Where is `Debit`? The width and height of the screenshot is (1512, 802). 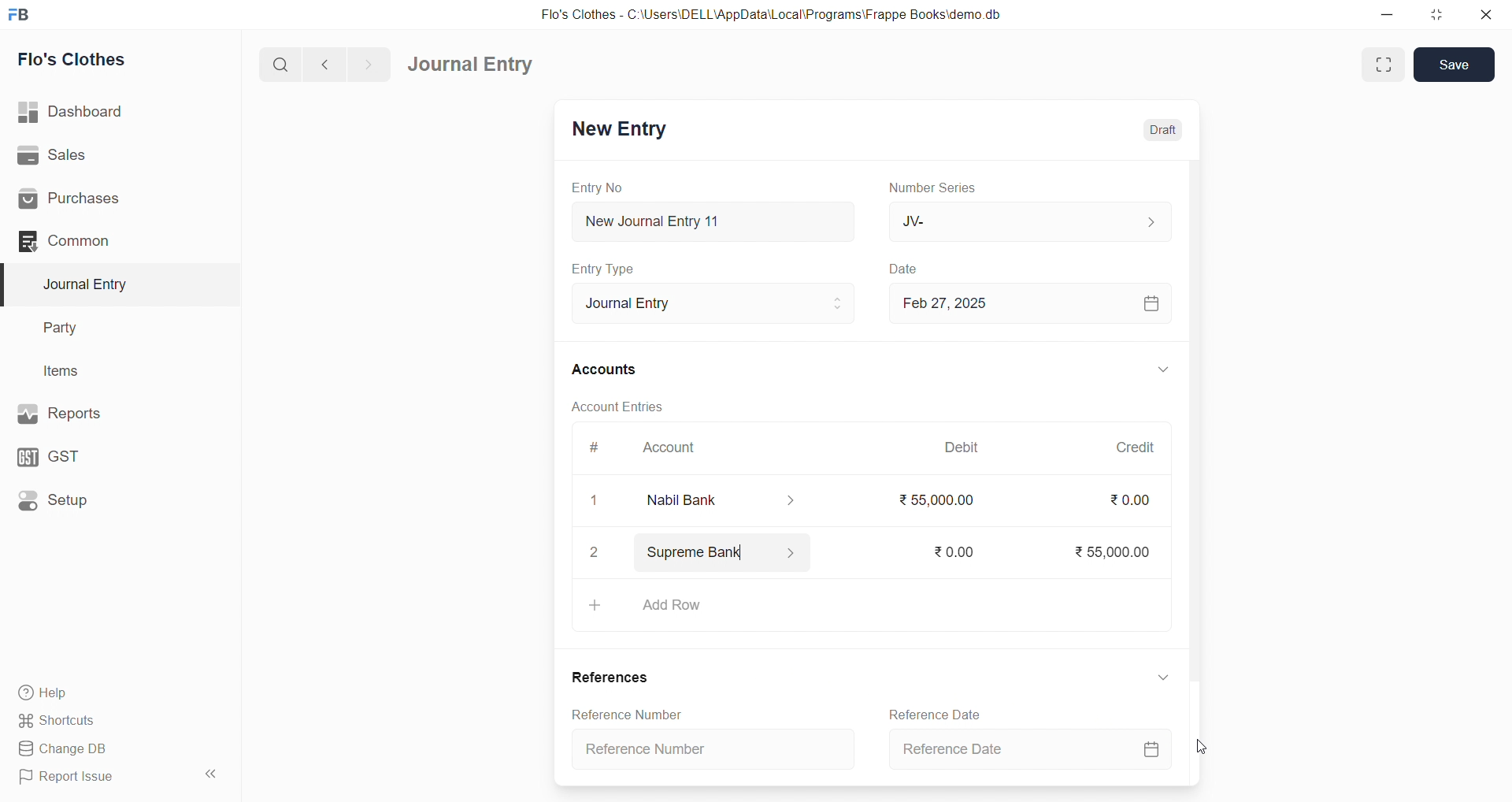
Debit is located at coordinates (965, 446).